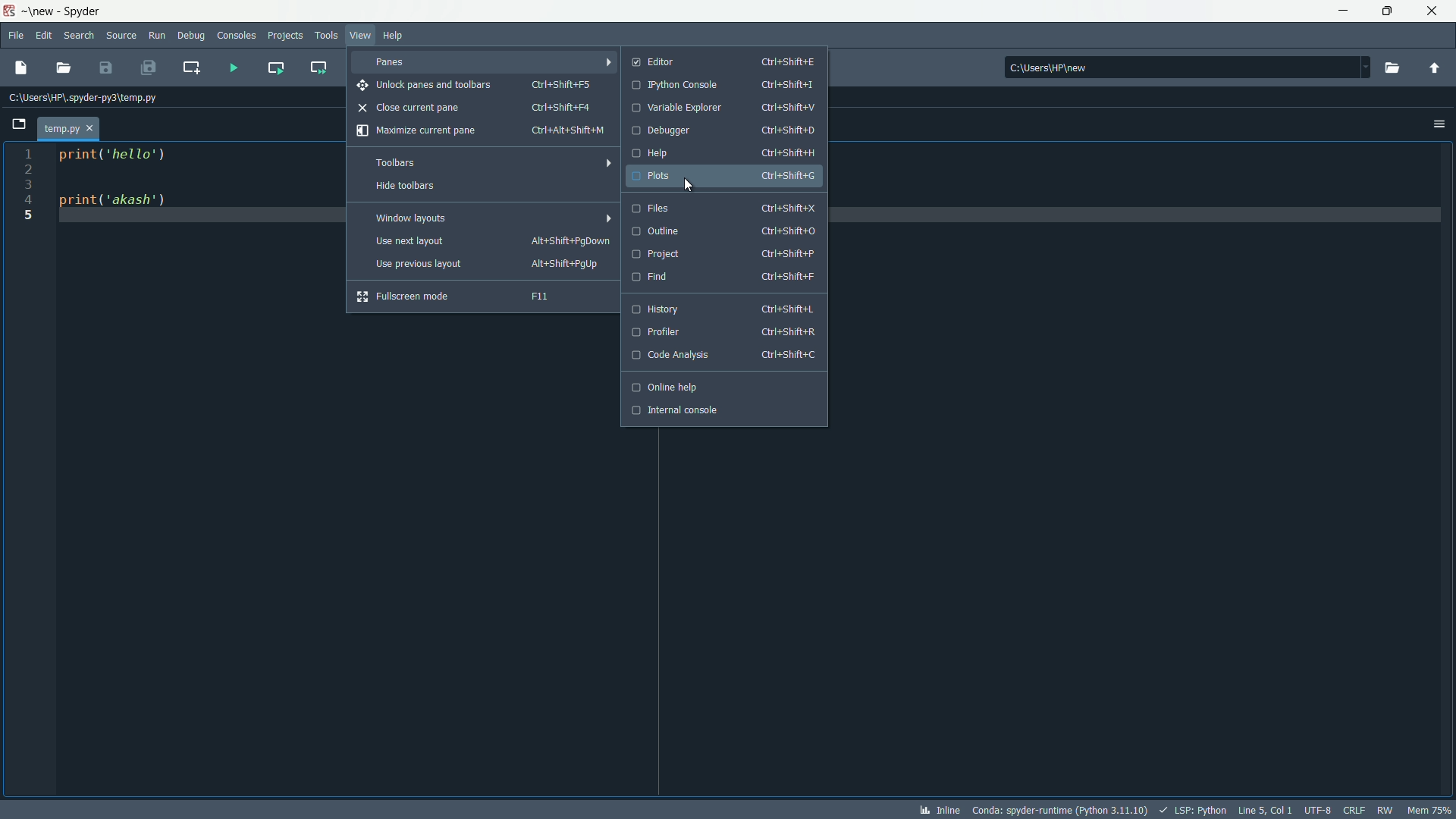 This screenshot has width=1456, height=819. I want to click on close current pane, so click(476, 107).